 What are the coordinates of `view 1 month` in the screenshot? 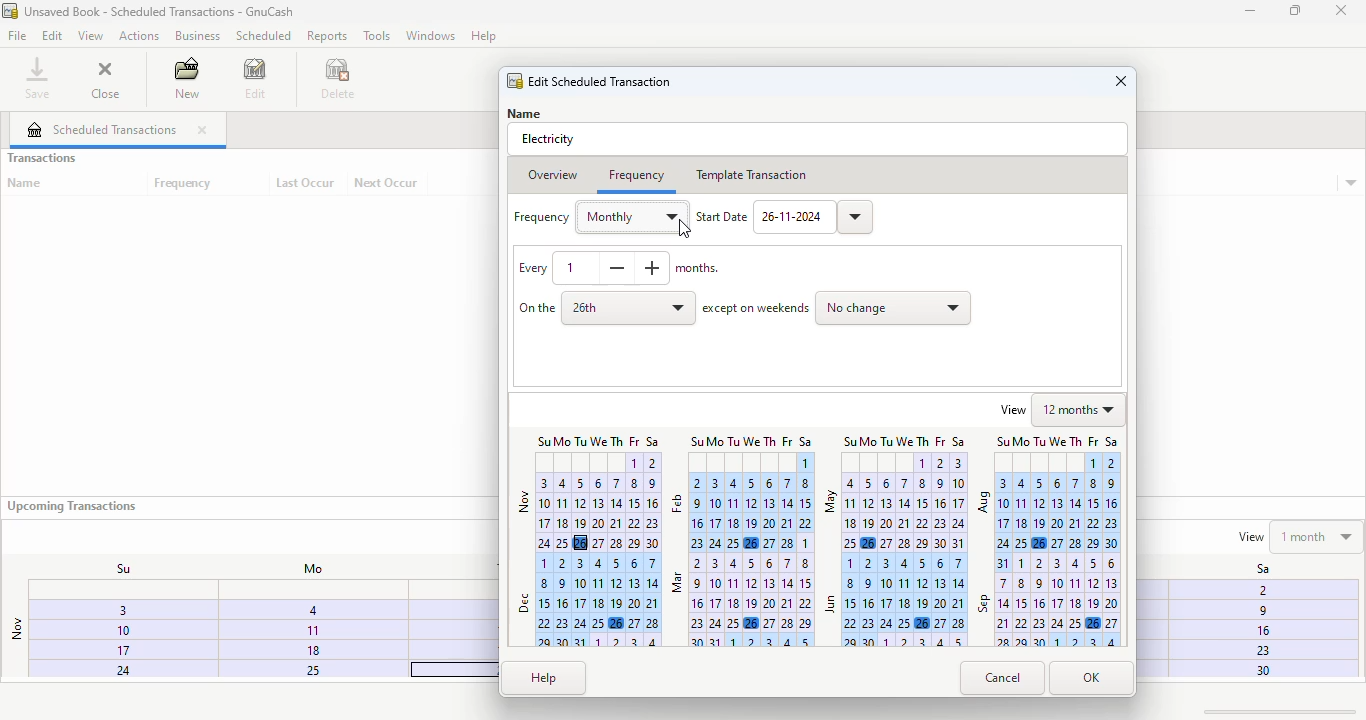 It's located at (1298, 535).